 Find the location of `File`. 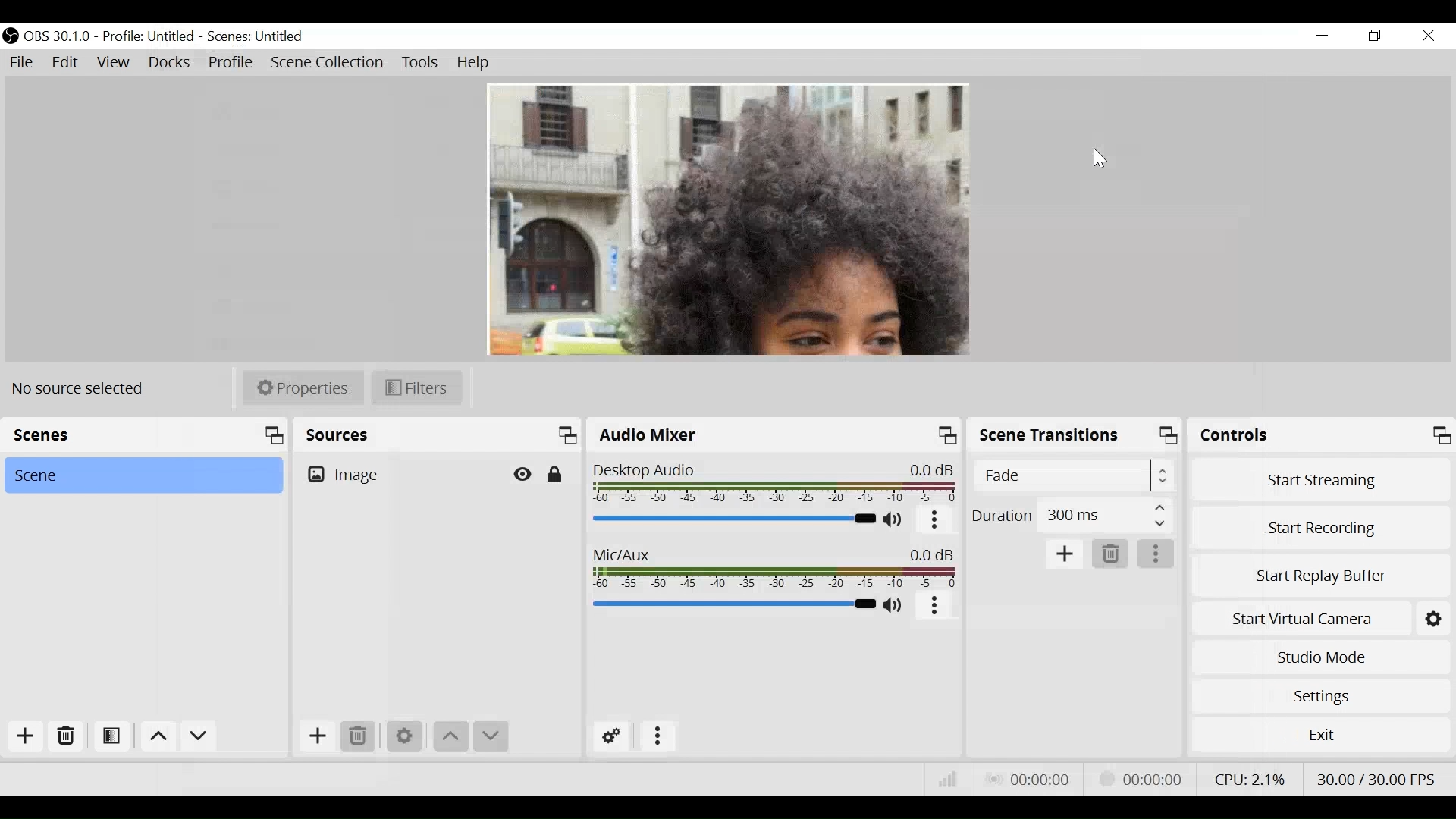

File is located at coordinates (24, 63).